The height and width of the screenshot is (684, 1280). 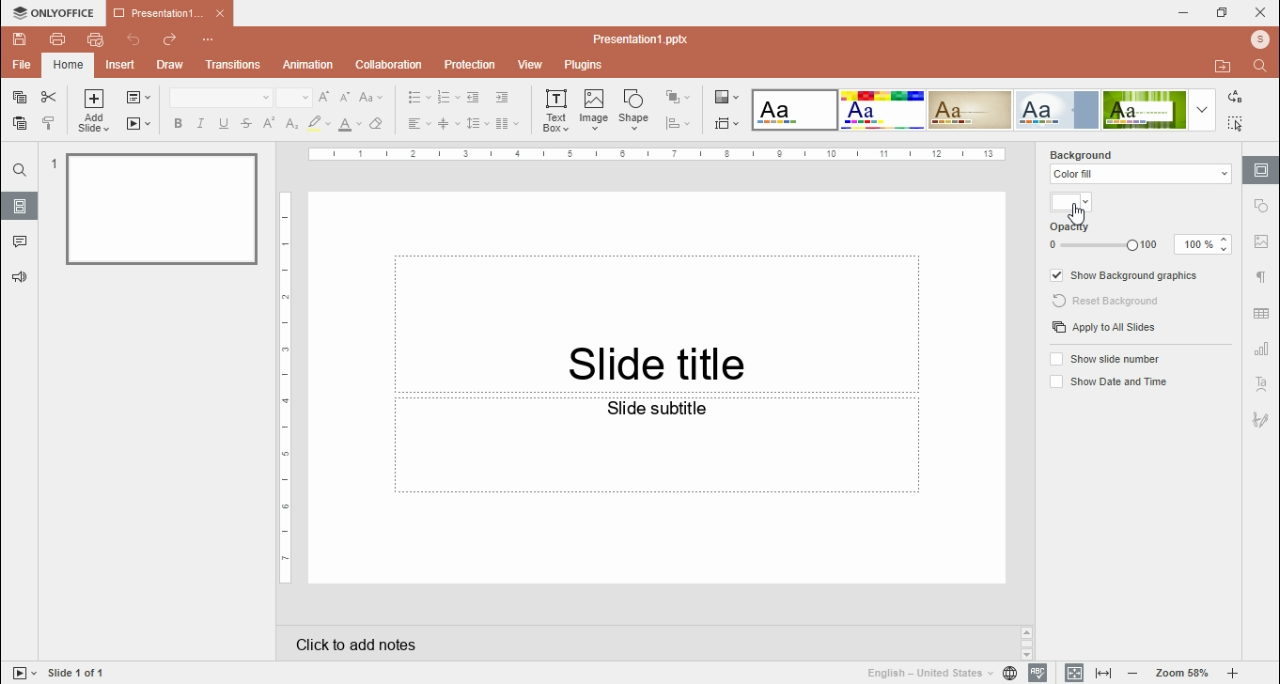 What do you see at coordinates (1107, 380) in the screenshot?
I see `checkbox: show date and time` at bounding box center [1107, 380].